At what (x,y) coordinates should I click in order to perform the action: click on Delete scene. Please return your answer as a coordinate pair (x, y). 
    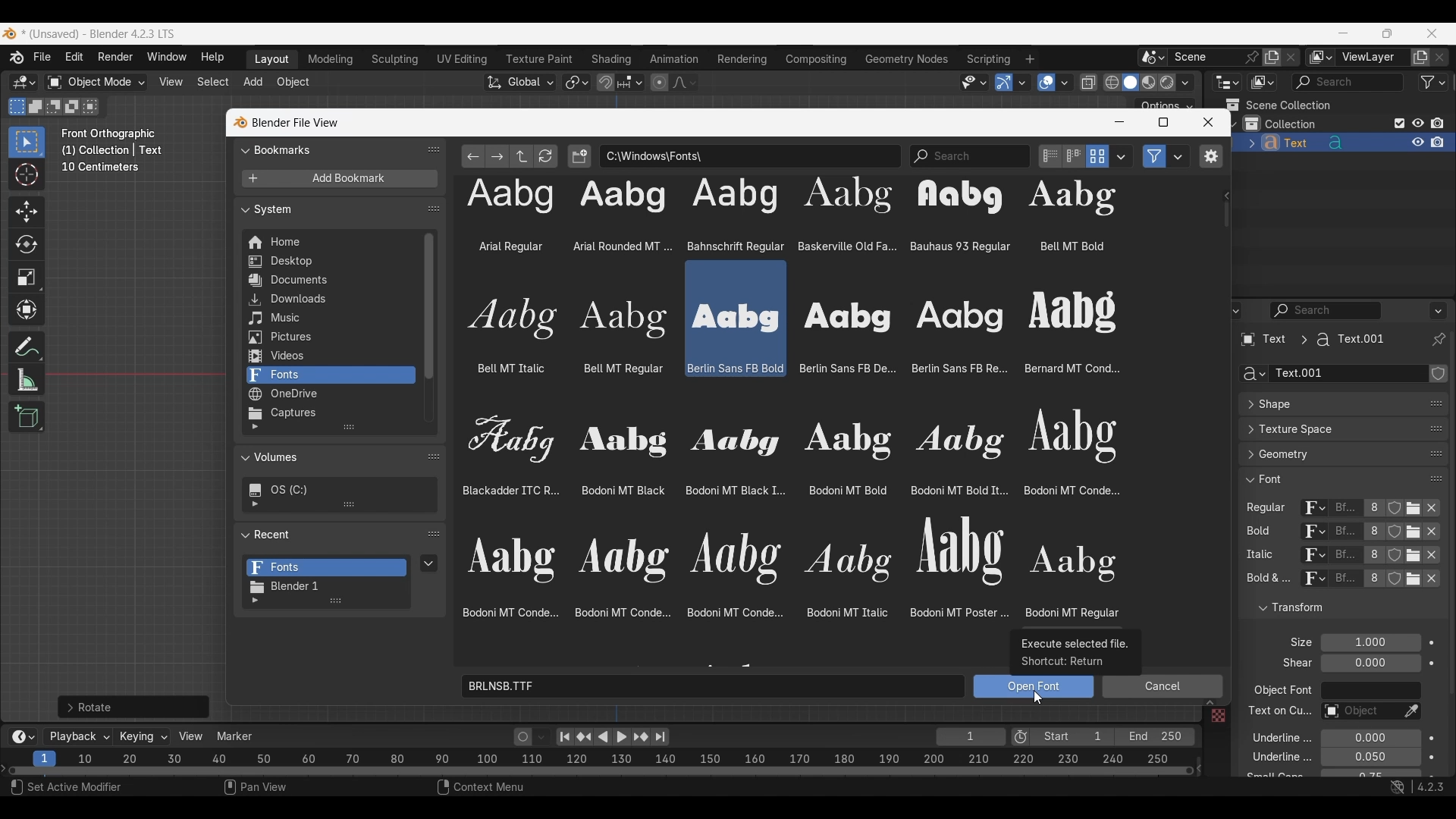
    Looking at the image, I should click on (1291, 58).